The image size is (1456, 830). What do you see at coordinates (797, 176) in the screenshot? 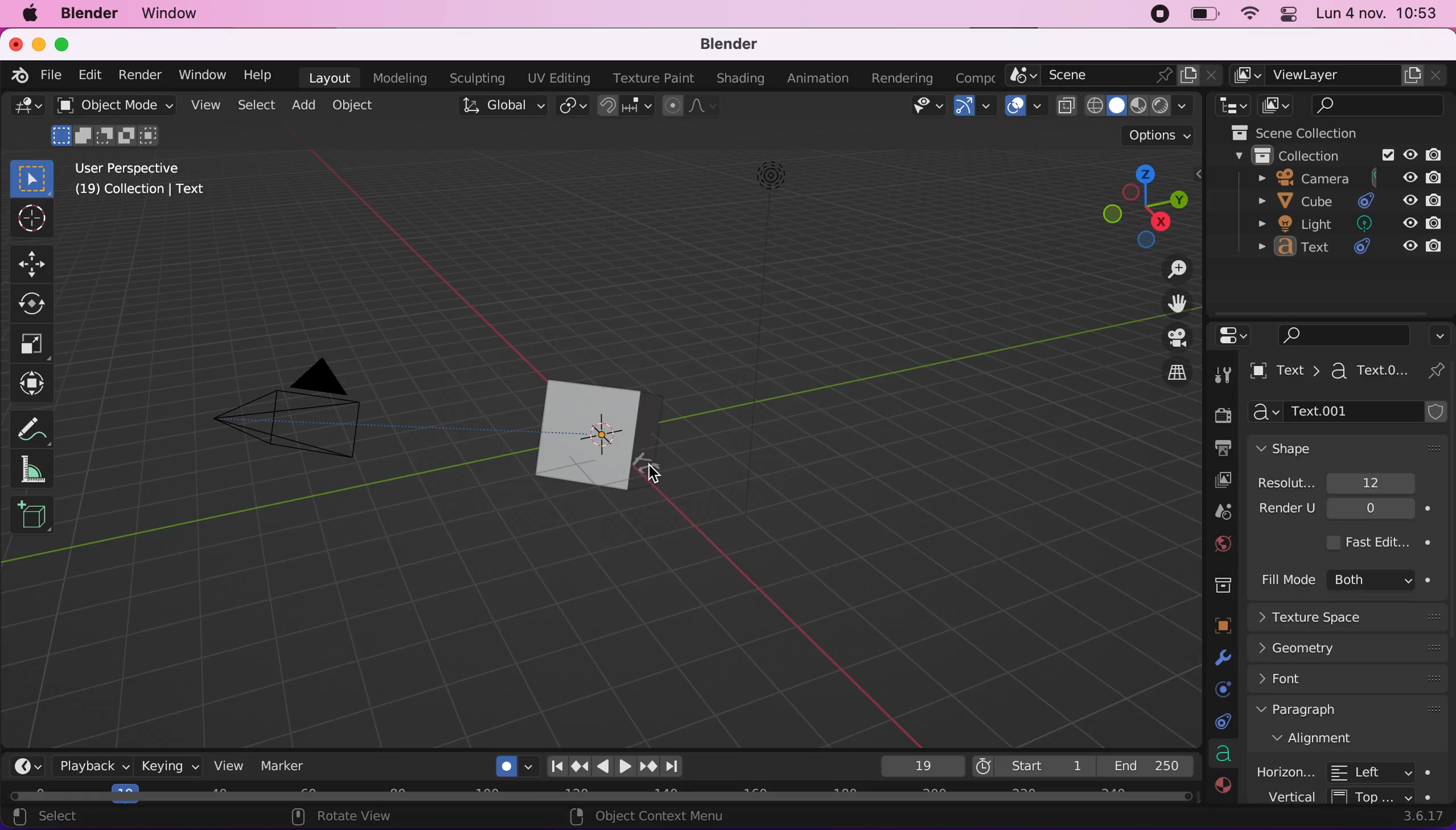
I see `light` at bounding box center [797, 176].